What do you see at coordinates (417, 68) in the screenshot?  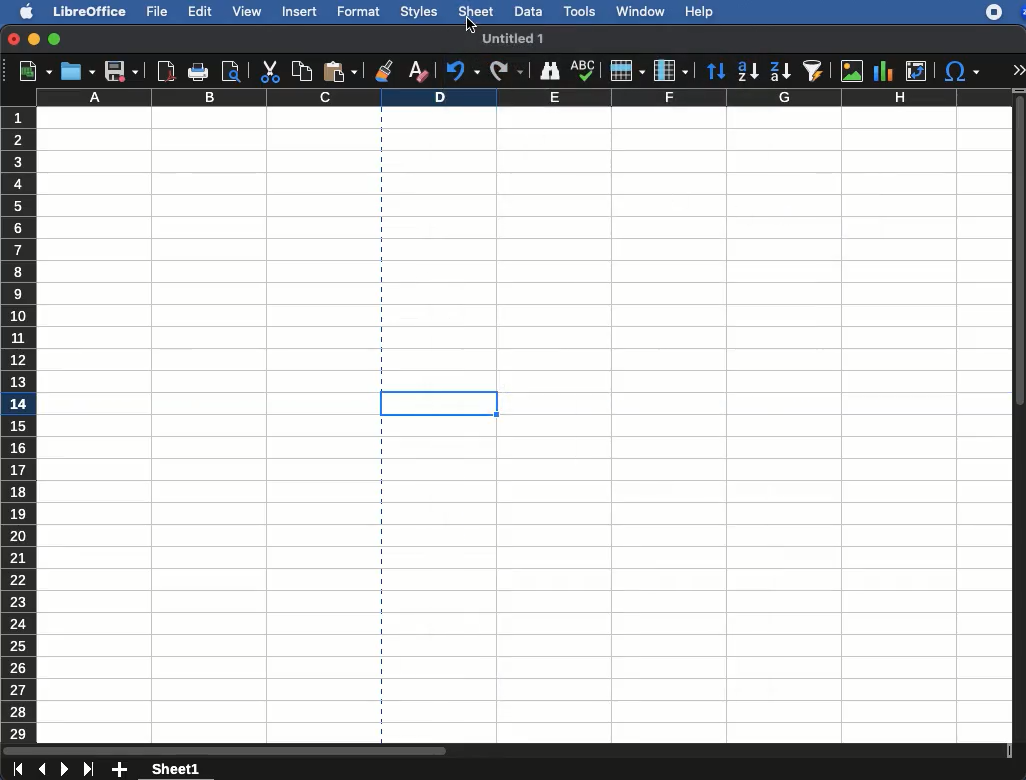 I see `clear formatting` at bounding box center [417, 68].